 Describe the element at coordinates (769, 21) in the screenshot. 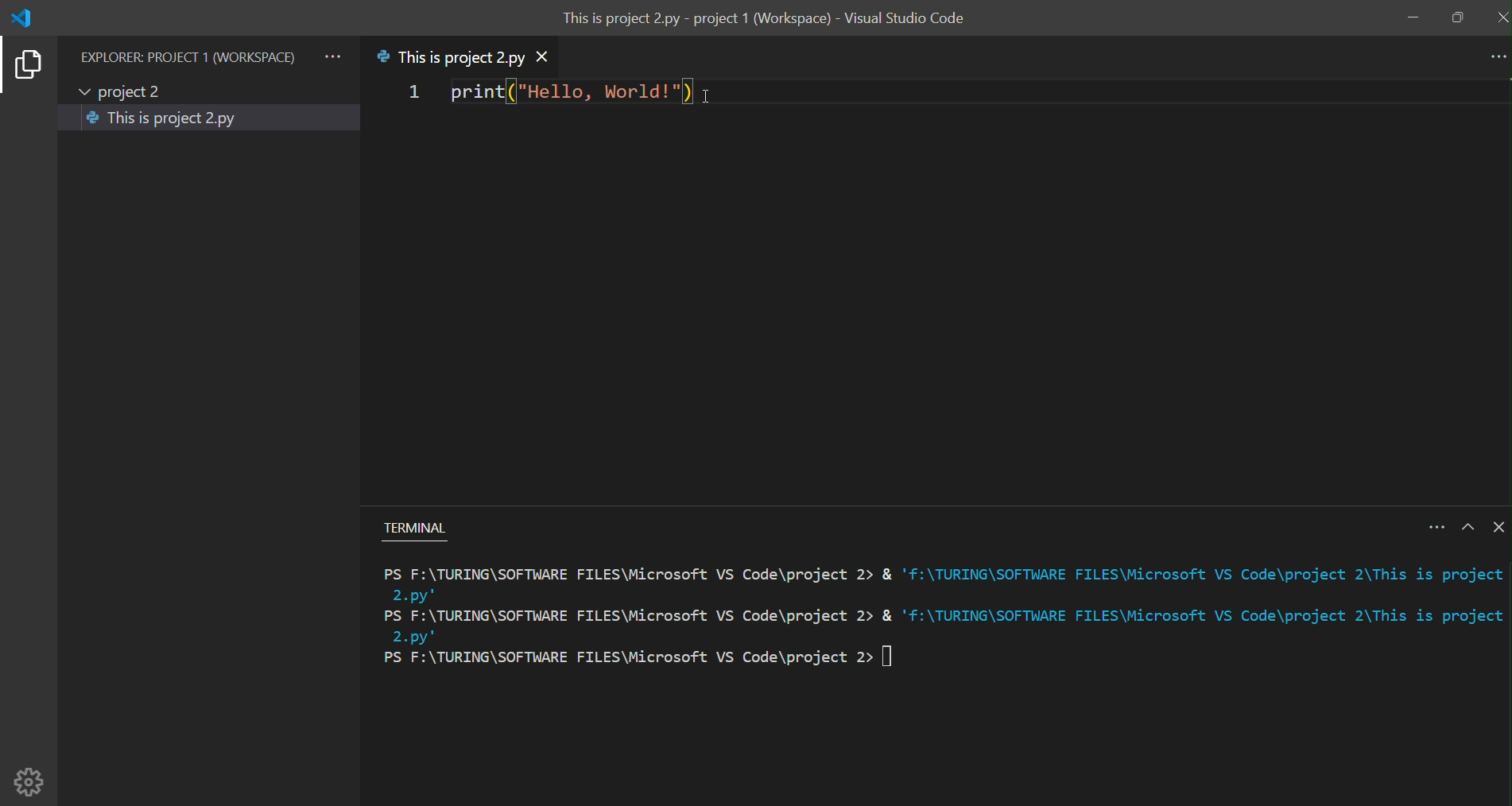

I see `title` at that location.